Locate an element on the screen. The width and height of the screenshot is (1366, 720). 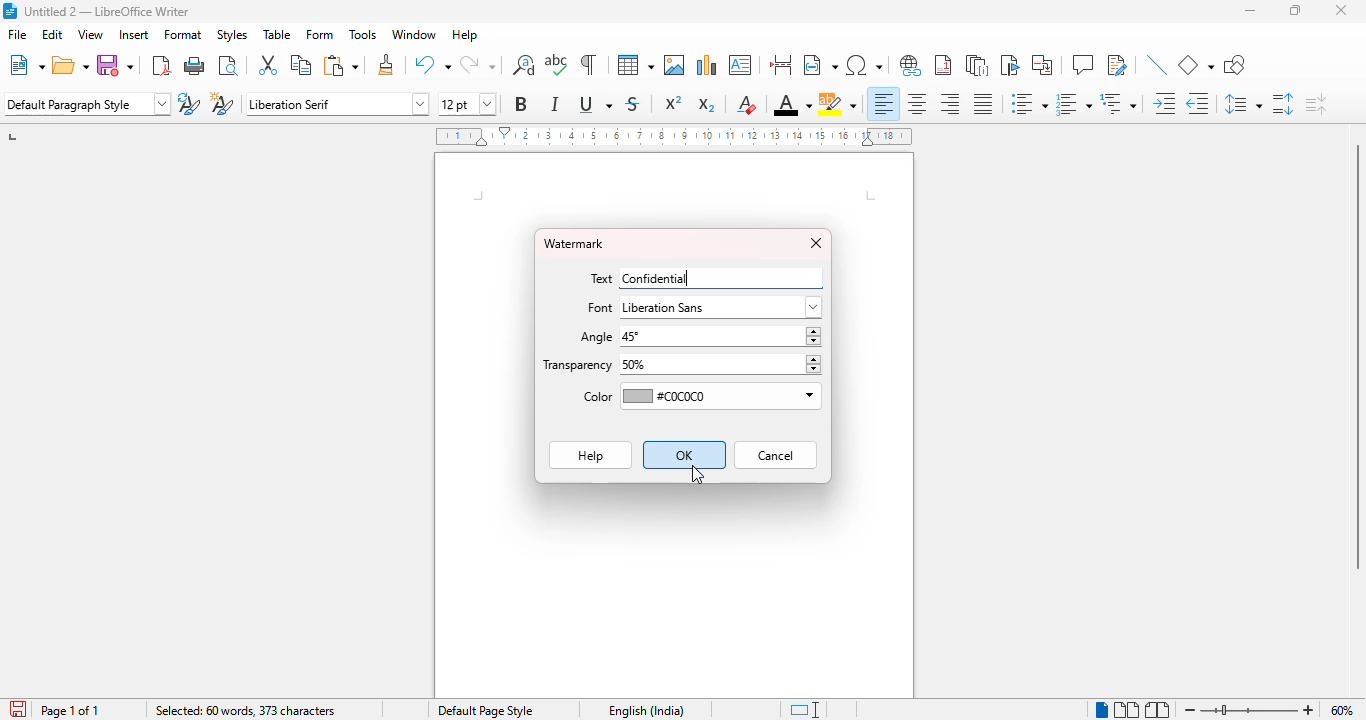
English (India) is located at coordinates (645, 710).